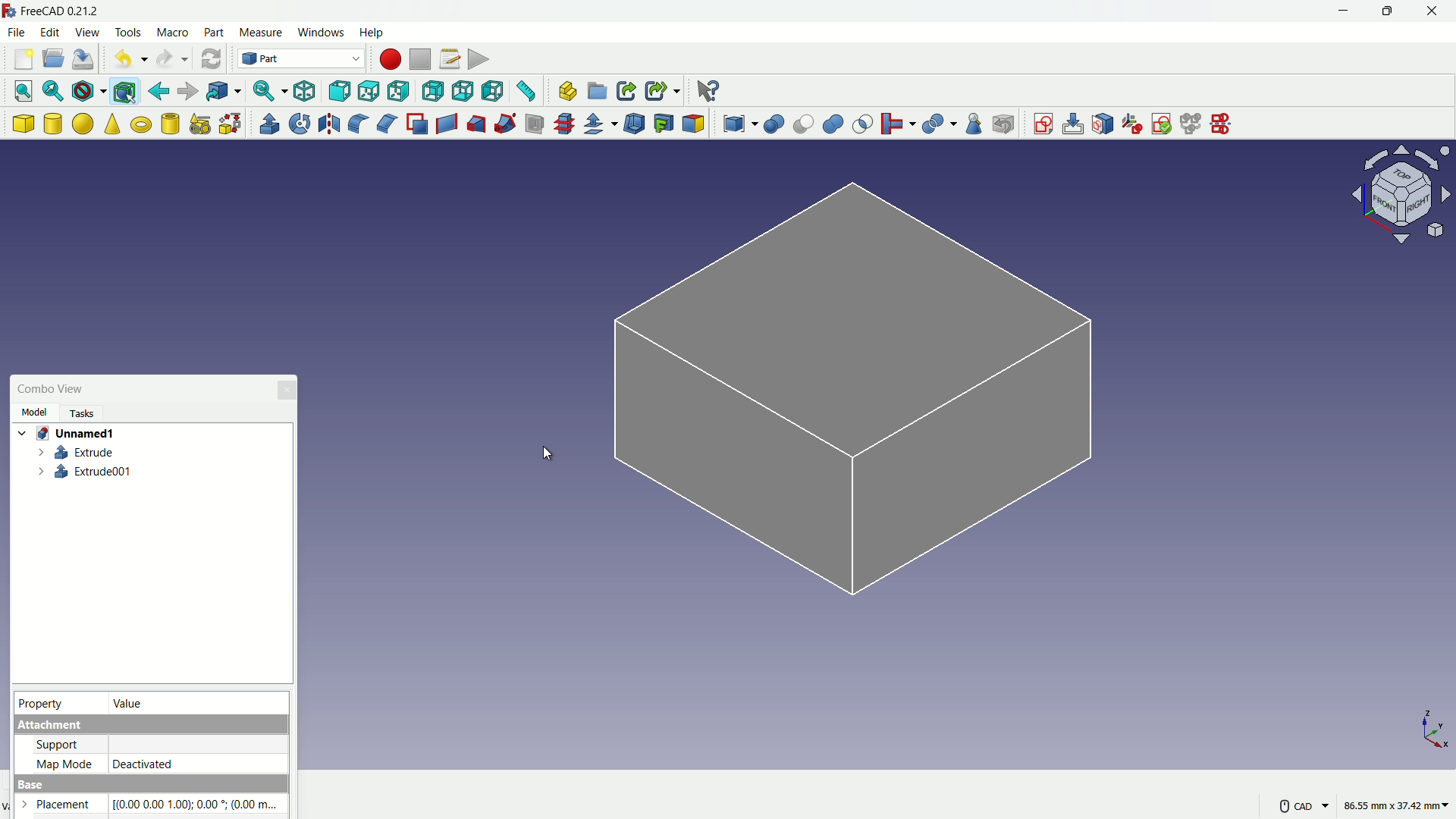 This screenshot has height=819, width=1456. What do you see at coordinates (322, 32) in the screenshot?
I see `windows` at bounding box center [322, 32].